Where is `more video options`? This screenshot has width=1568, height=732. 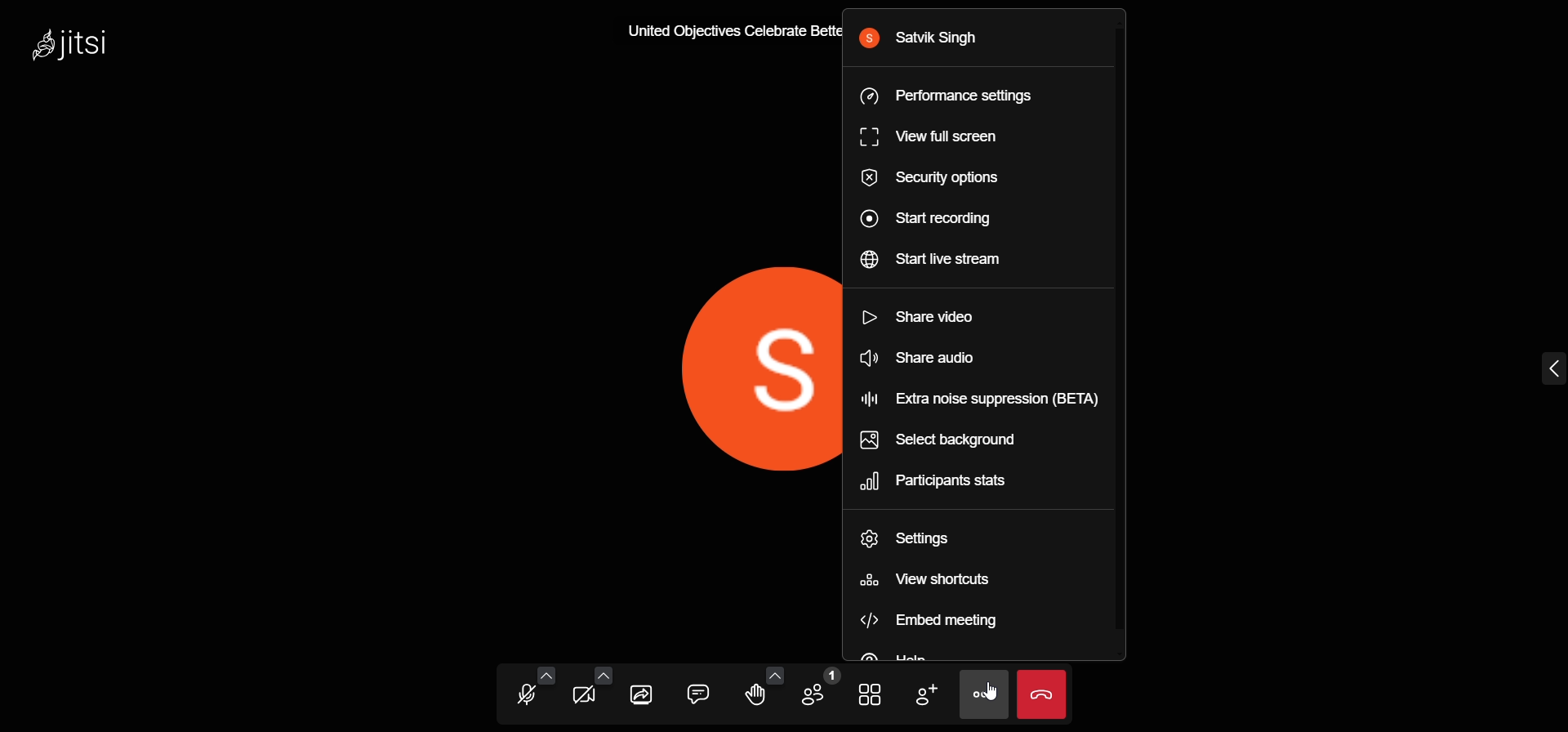
more video options is located at coordinates (601, 674).